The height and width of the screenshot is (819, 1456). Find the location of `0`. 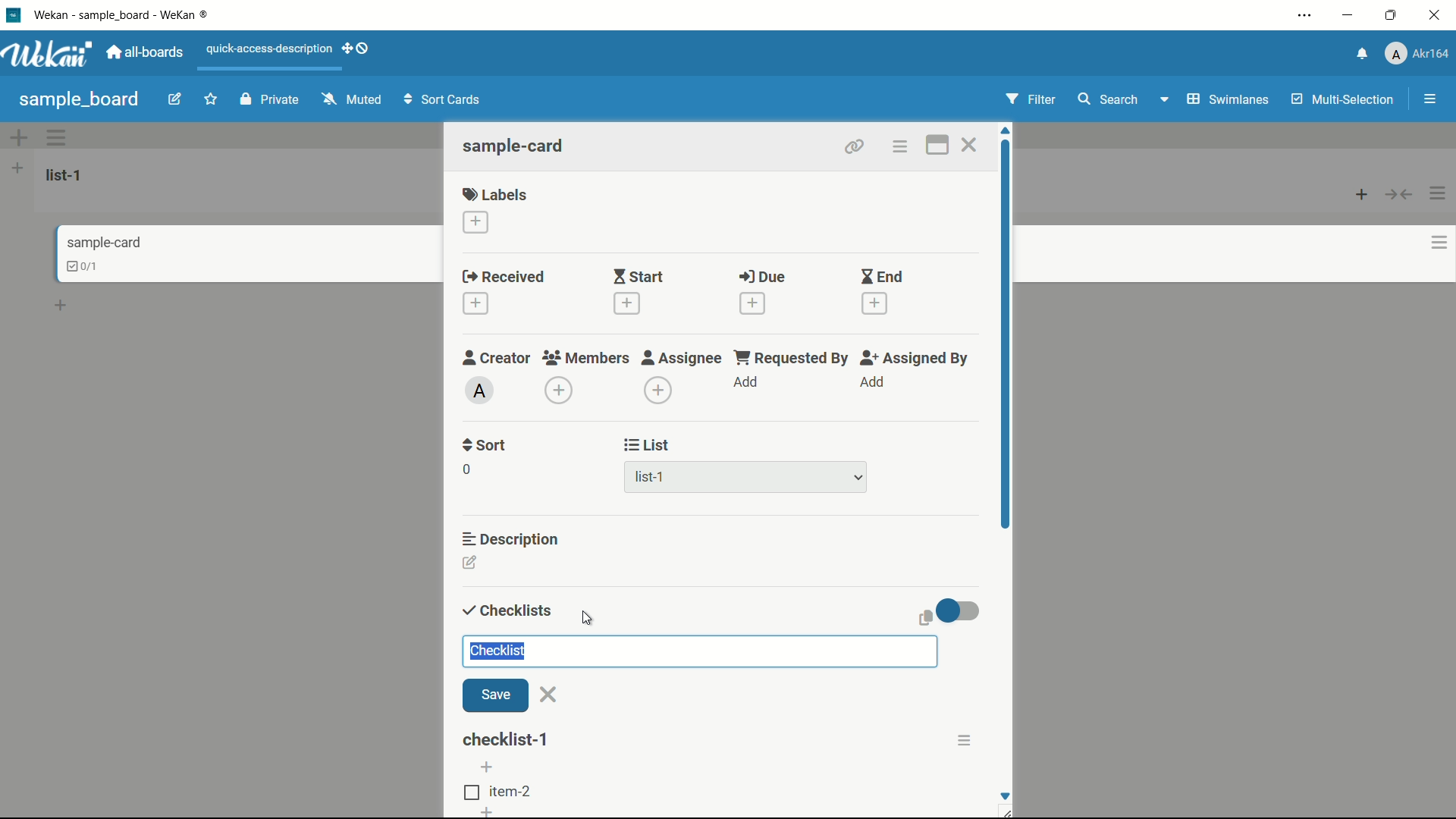

0 is located at coordinates (466, 469).